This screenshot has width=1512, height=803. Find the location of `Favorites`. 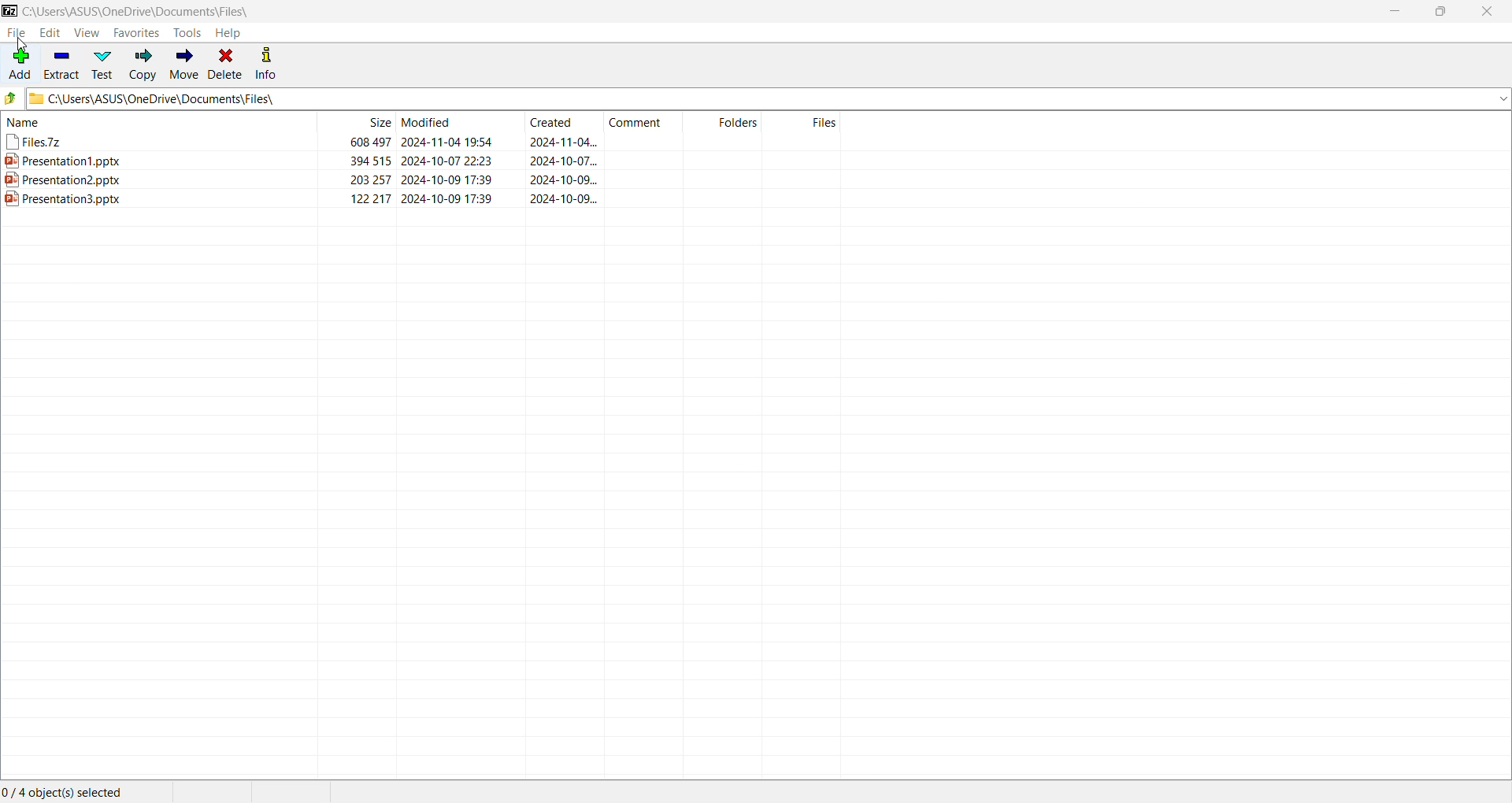

Favorites is located at coordinates (139, 35).